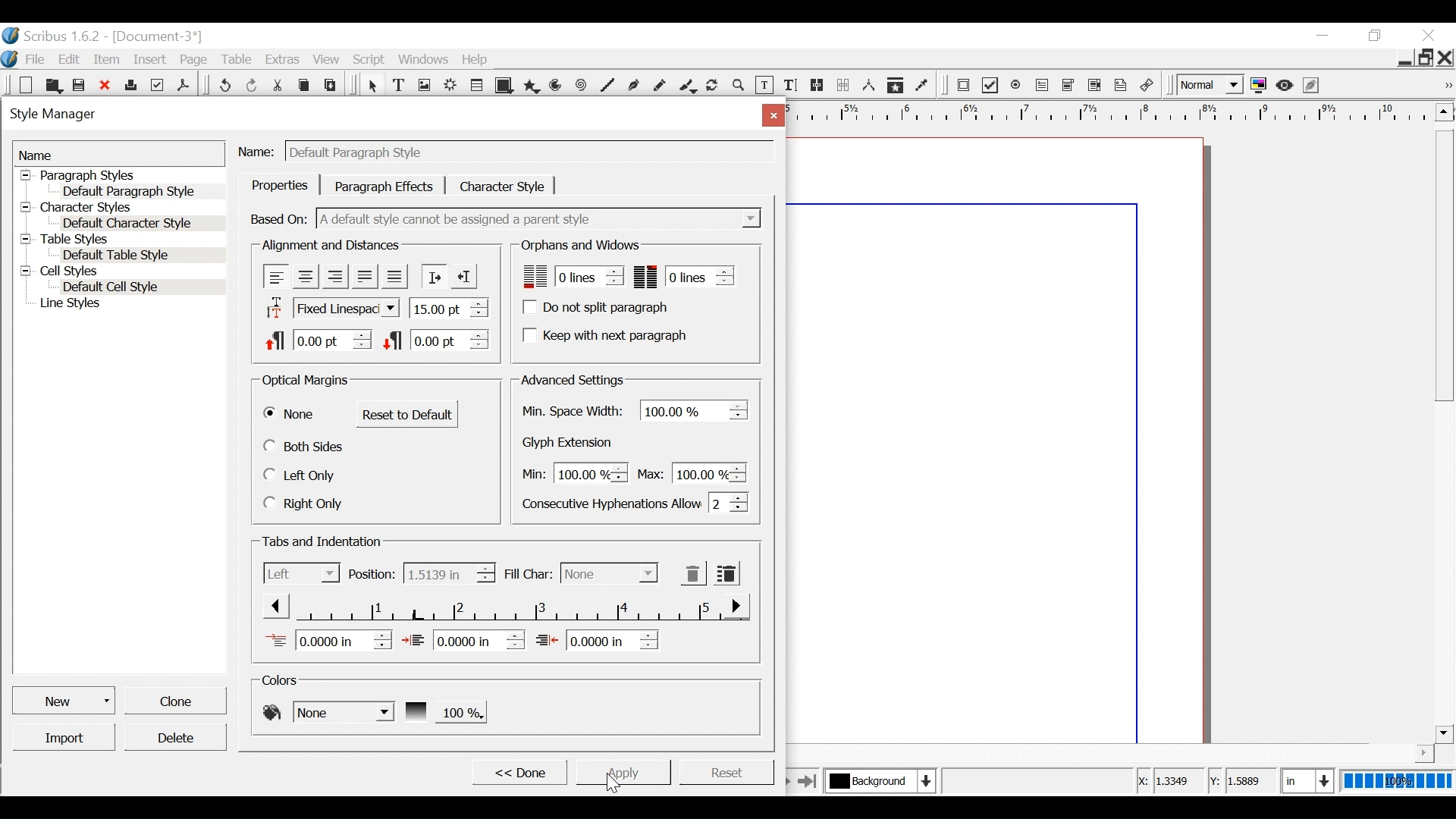  Describe the element at coordinates (571, 474) in the screenshot. I see `Minimum` at that location.